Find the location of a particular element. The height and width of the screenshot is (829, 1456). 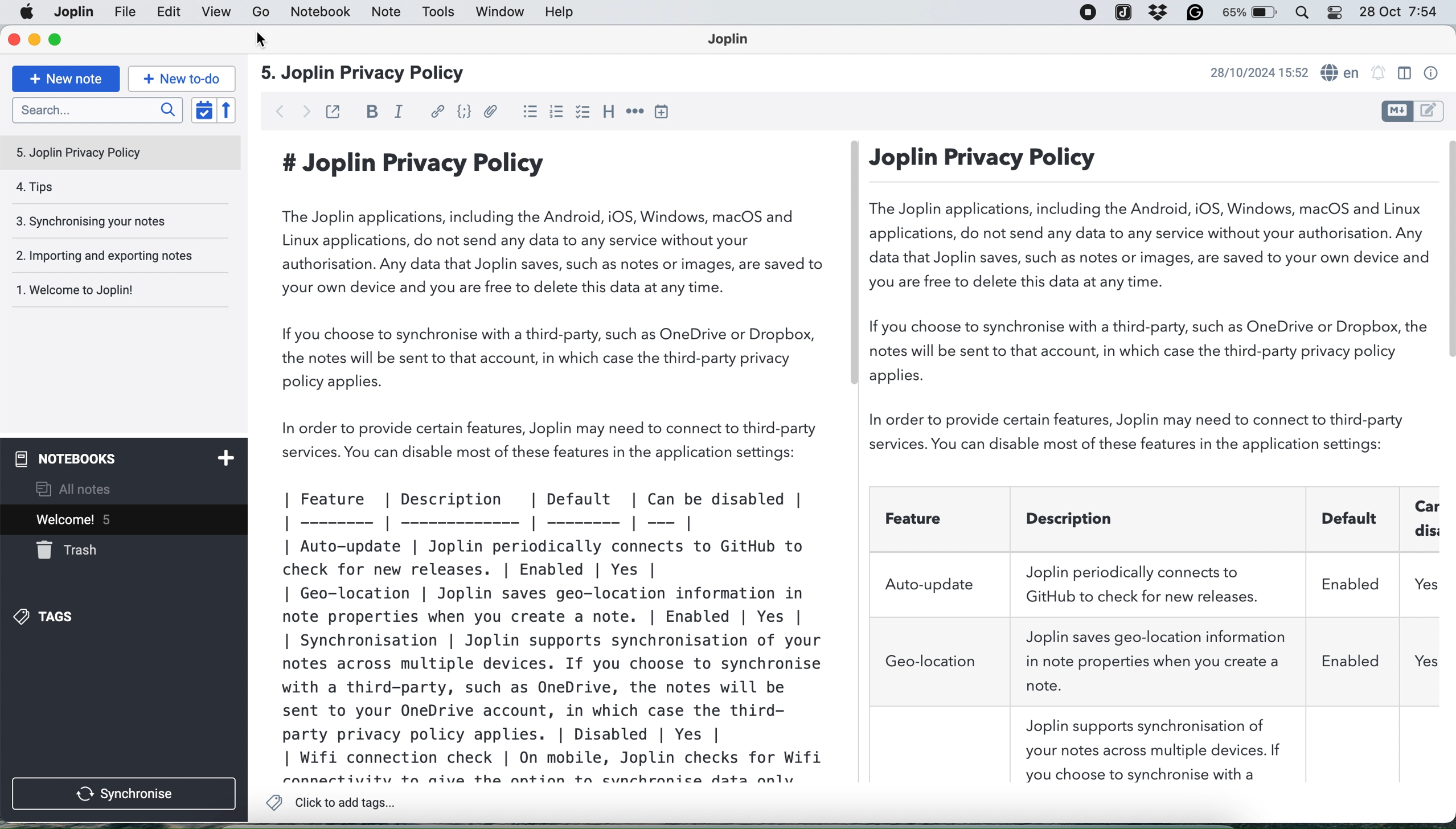

new note is located at coordinates (66, 79).